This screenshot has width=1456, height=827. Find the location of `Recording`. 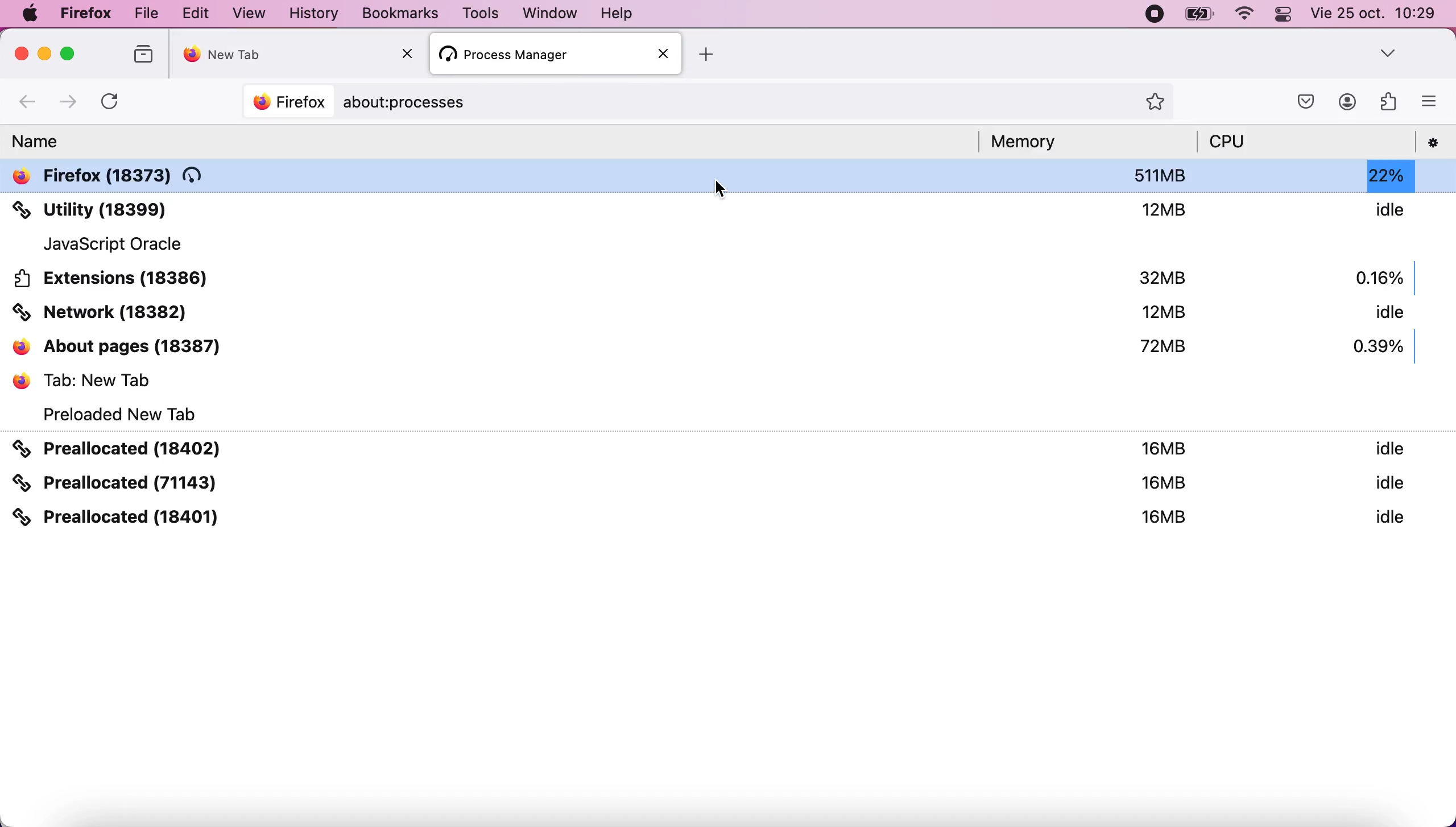

Recording is located at coordinates (1156, 14).